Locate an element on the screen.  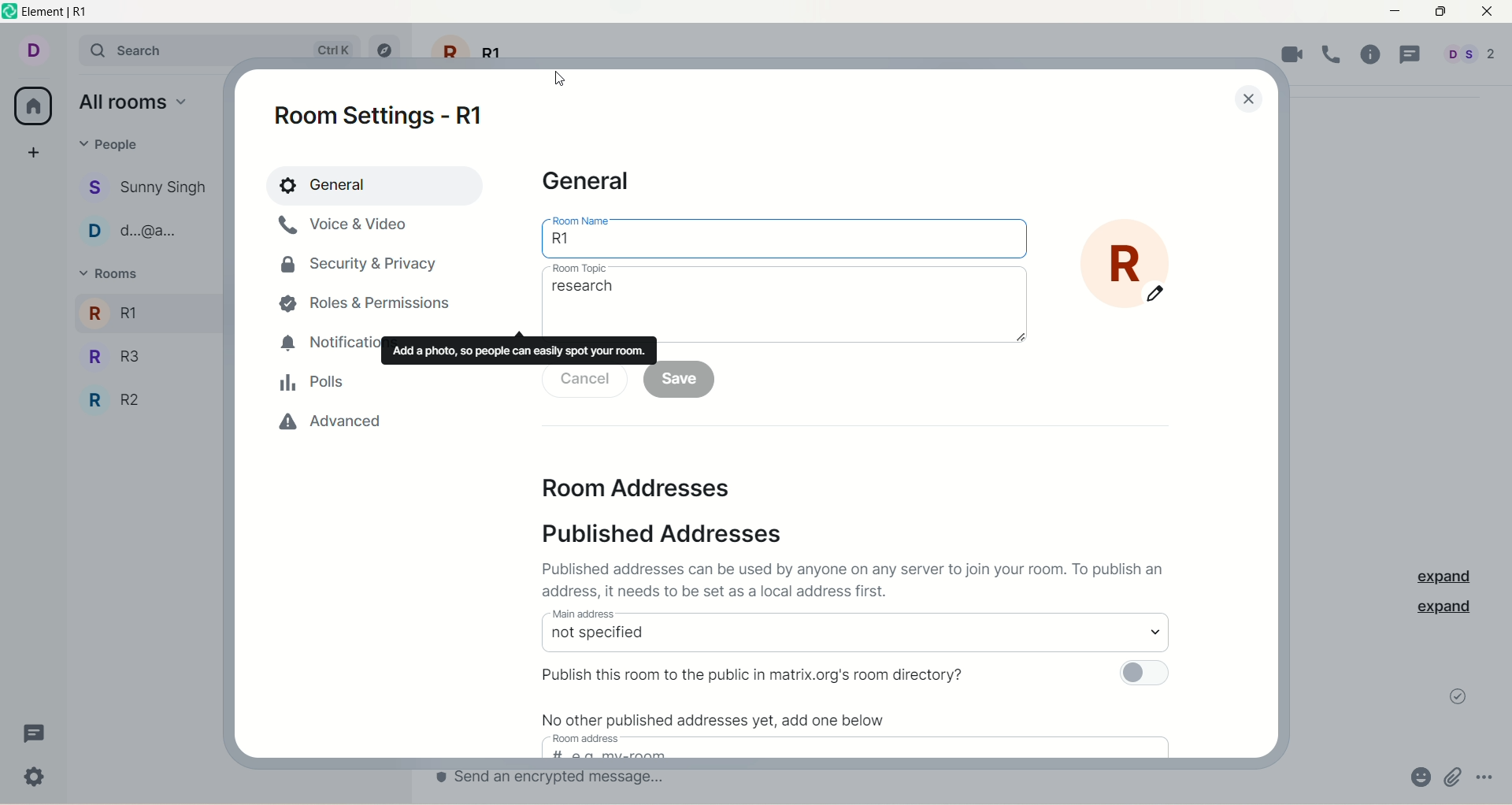
room setting R1 is located at coordinates (389, 119).